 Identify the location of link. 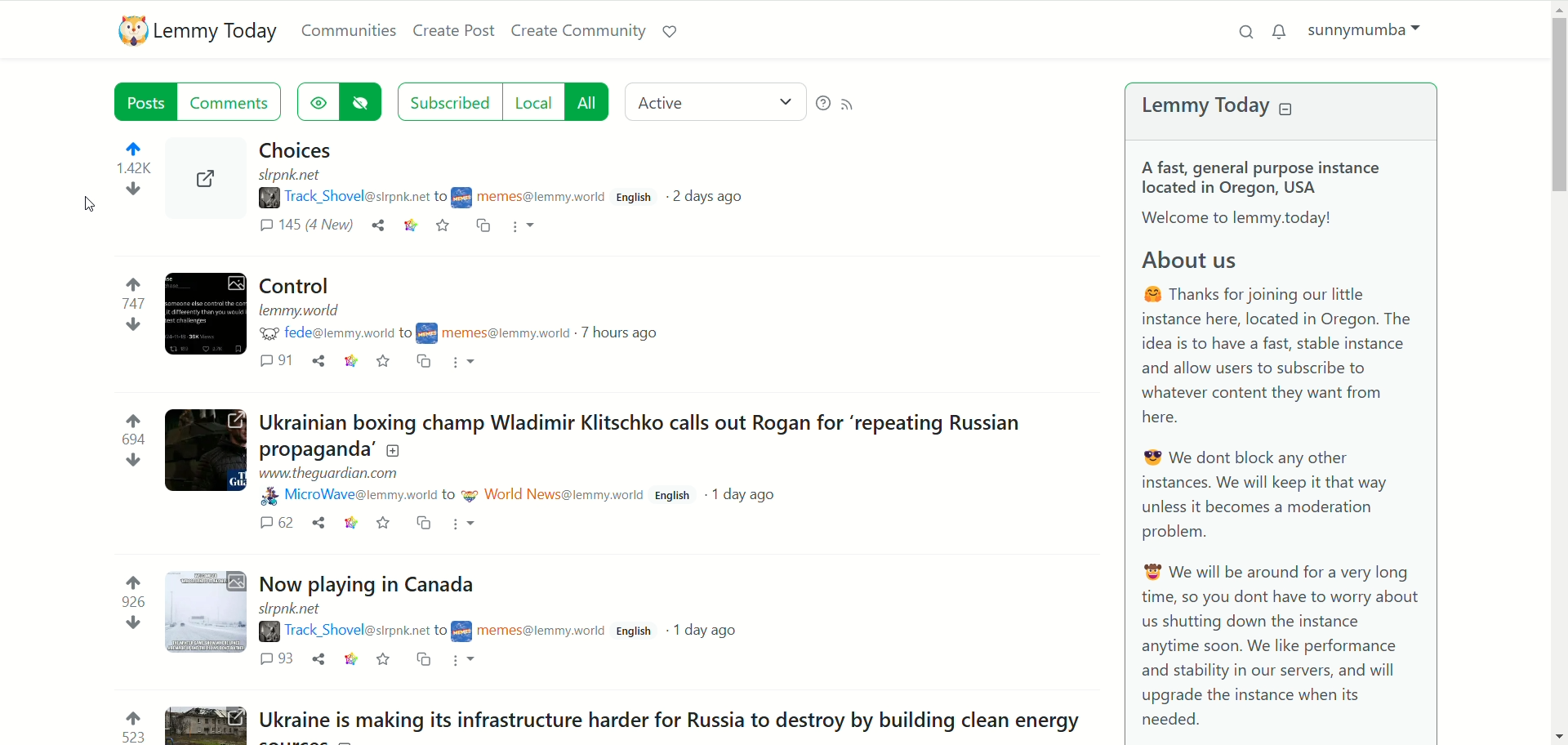
(410, 225).